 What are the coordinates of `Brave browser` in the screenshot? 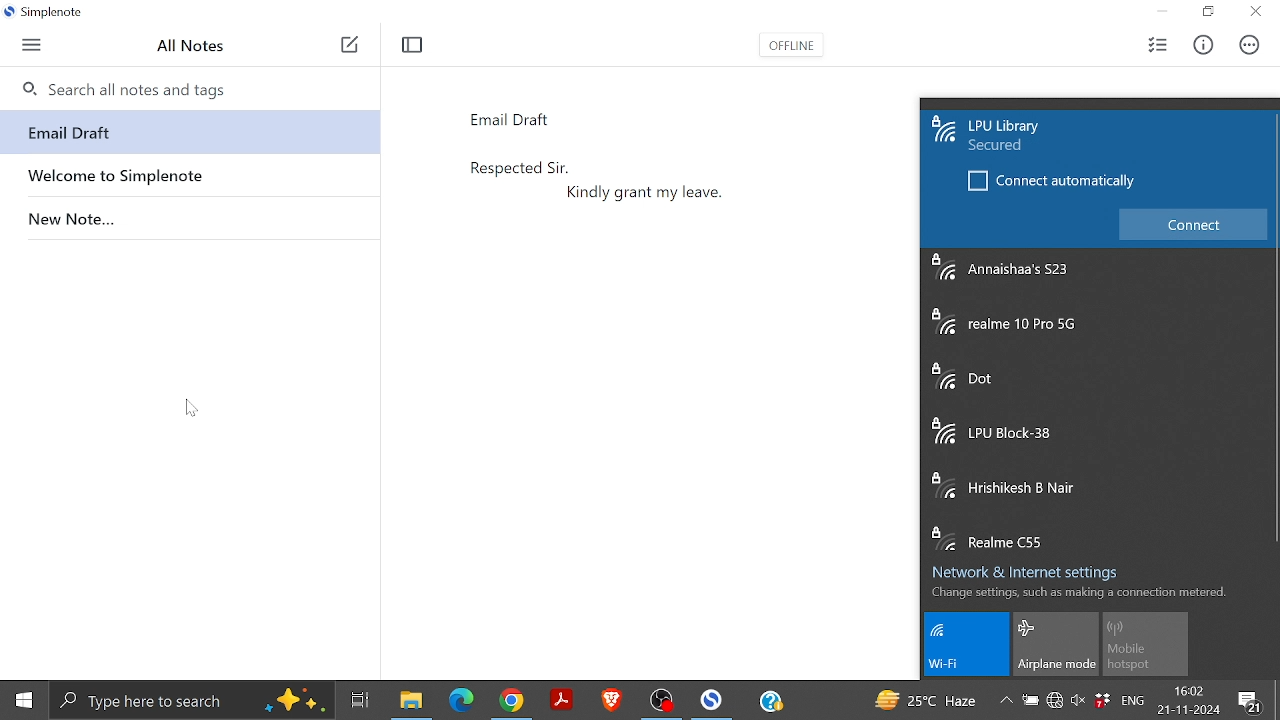 It's located at (613, 699).